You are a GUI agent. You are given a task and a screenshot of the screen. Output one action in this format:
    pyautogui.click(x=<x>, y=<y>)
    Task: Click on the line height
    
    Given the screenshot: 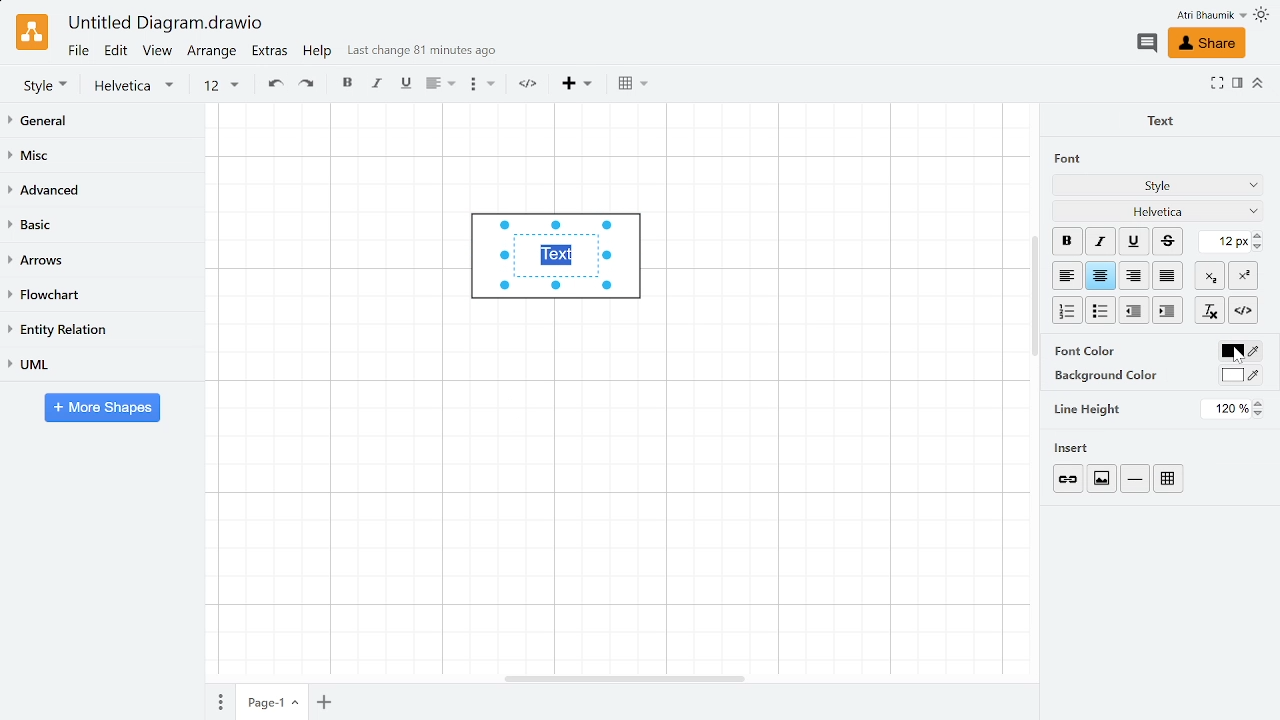 What is the action you would take?
    pyautogui.click(x=1088, y=408)
    